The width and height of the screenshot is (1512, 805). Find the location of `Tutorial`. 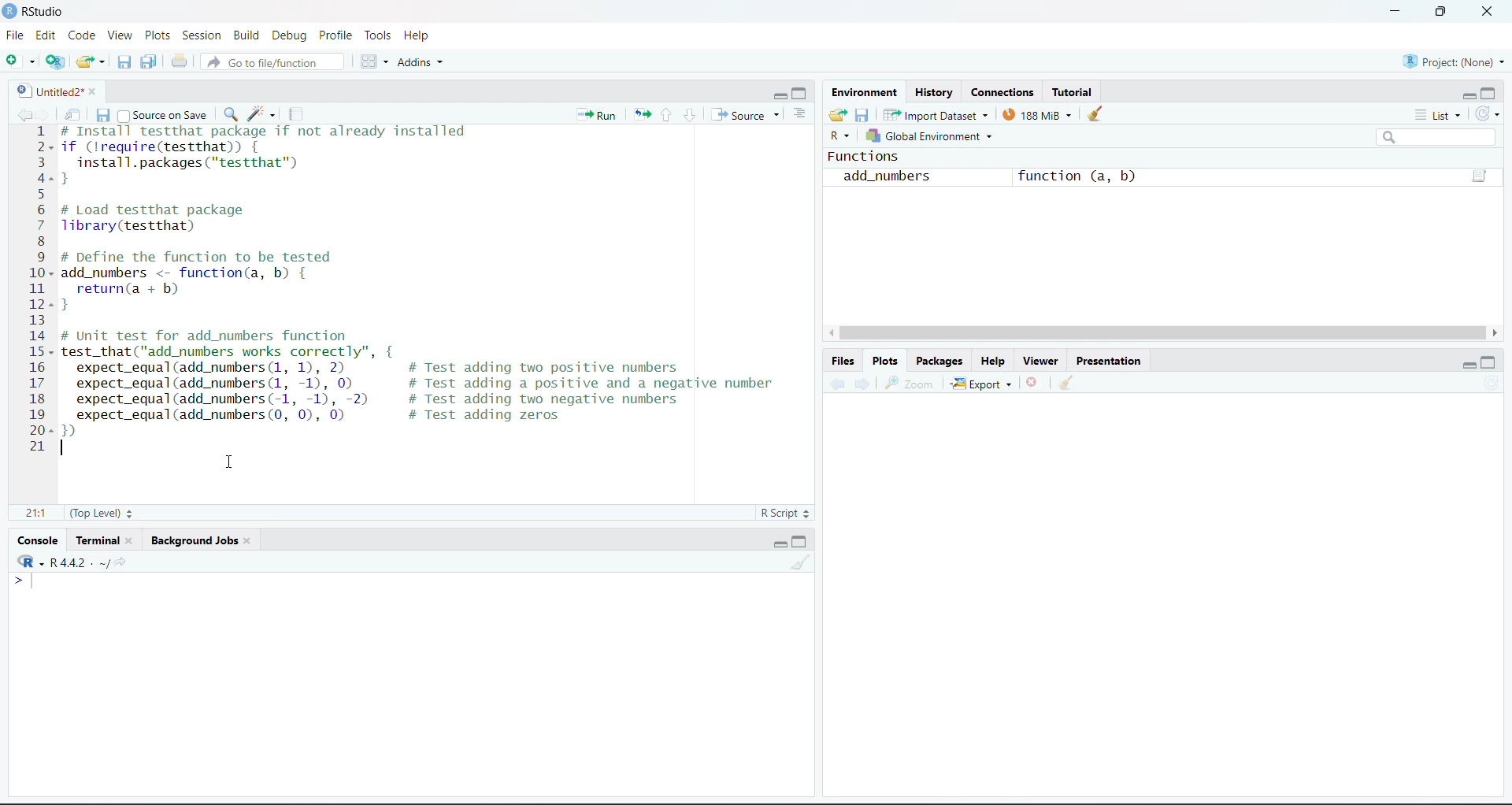

Tutorial is located at coordinates (1071, 91).